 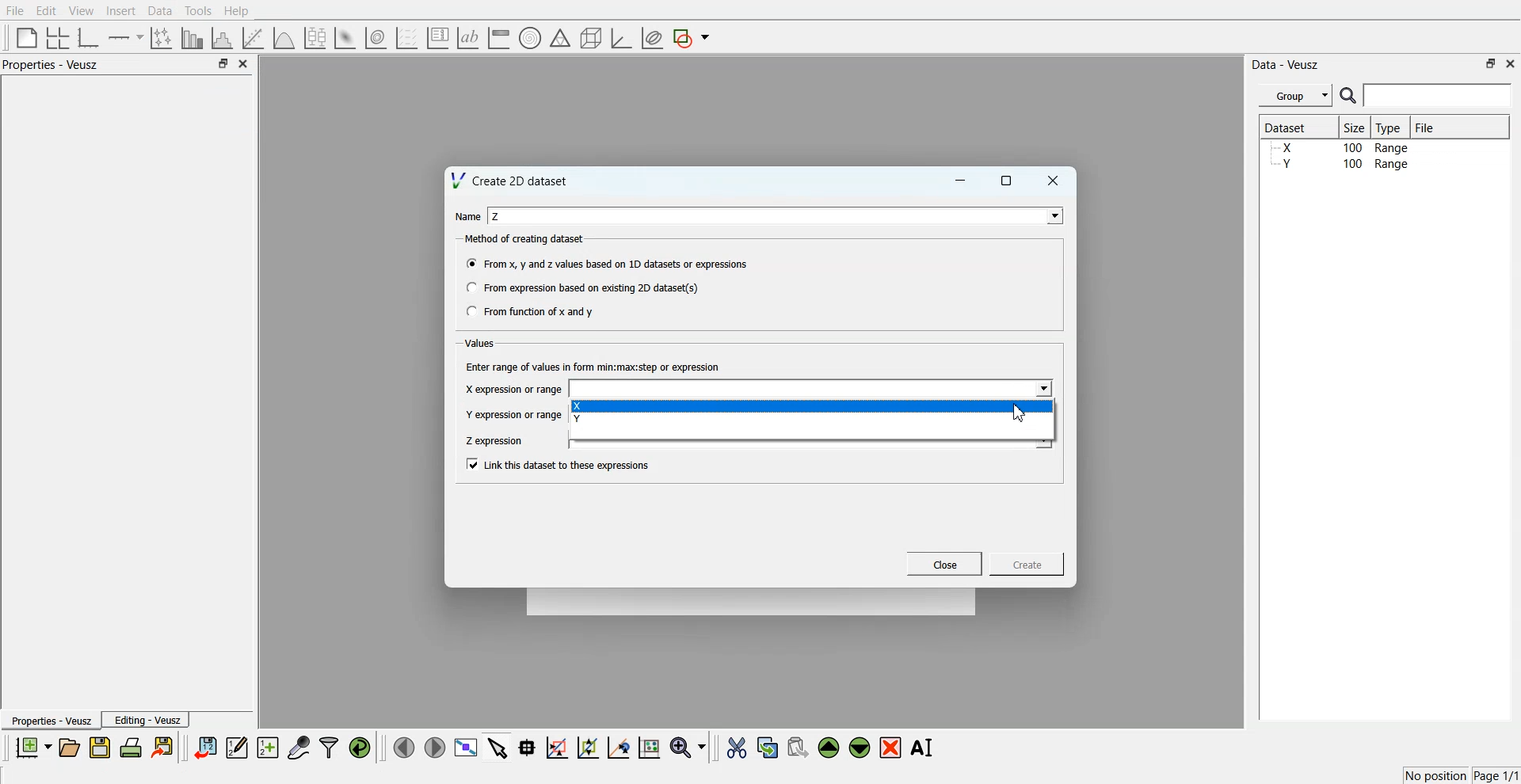 What do you see at coordinates (1491, 63) in the screenshot?
I see `Maximize` at bounding box center [1491, 63].